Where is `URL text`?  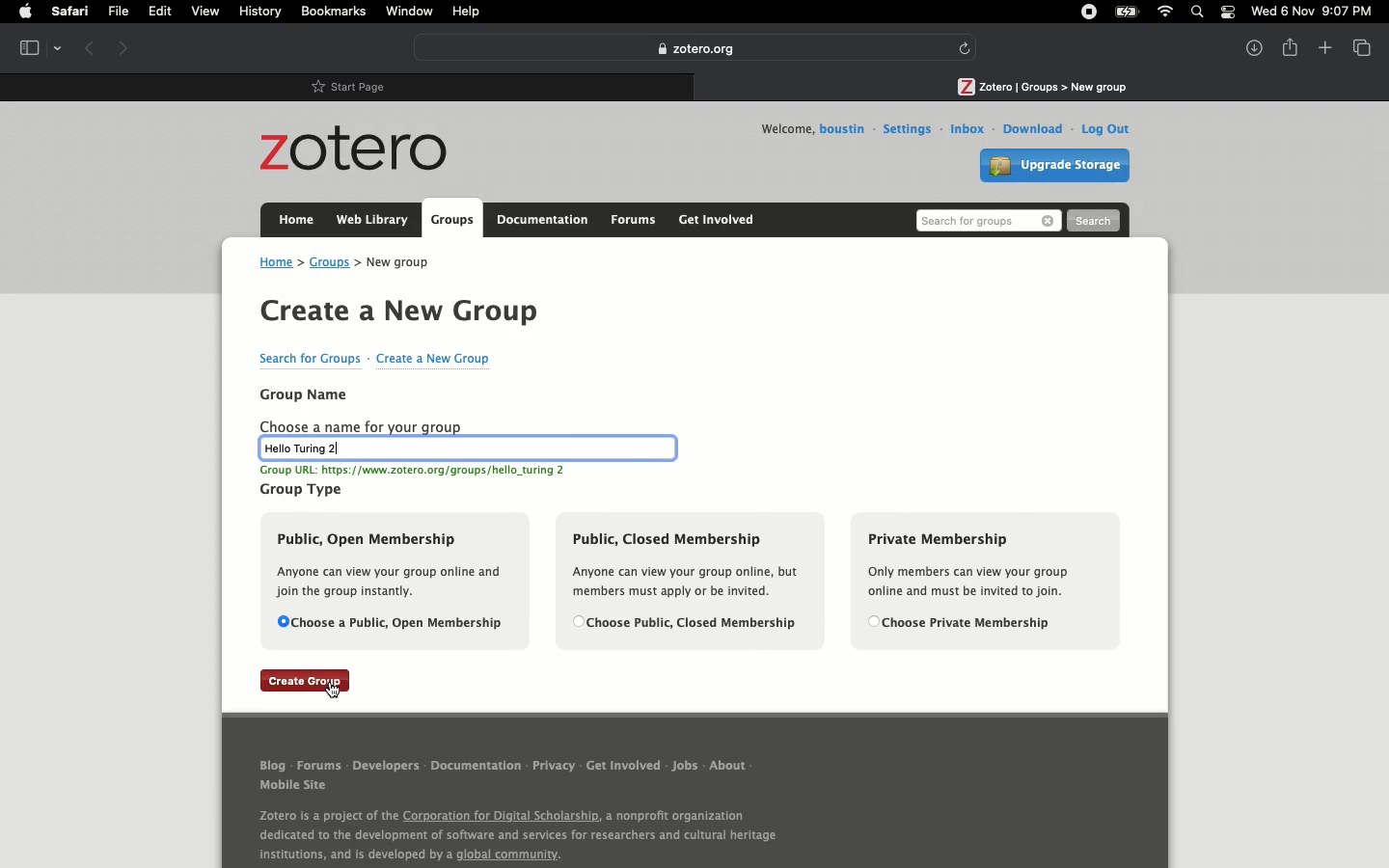
URL text is located at coordinates (422, 471).